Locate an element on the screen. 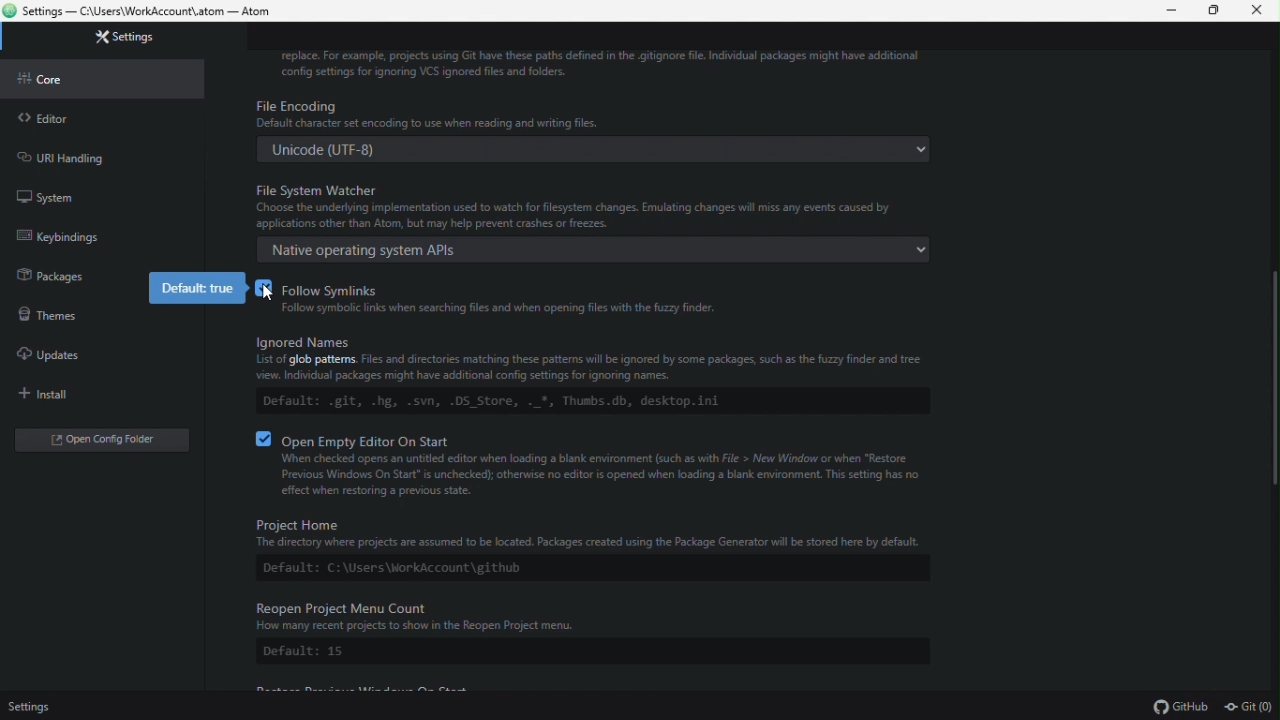 This screenshot has height=720, width=1280. System is located at coordinates (96, 194).